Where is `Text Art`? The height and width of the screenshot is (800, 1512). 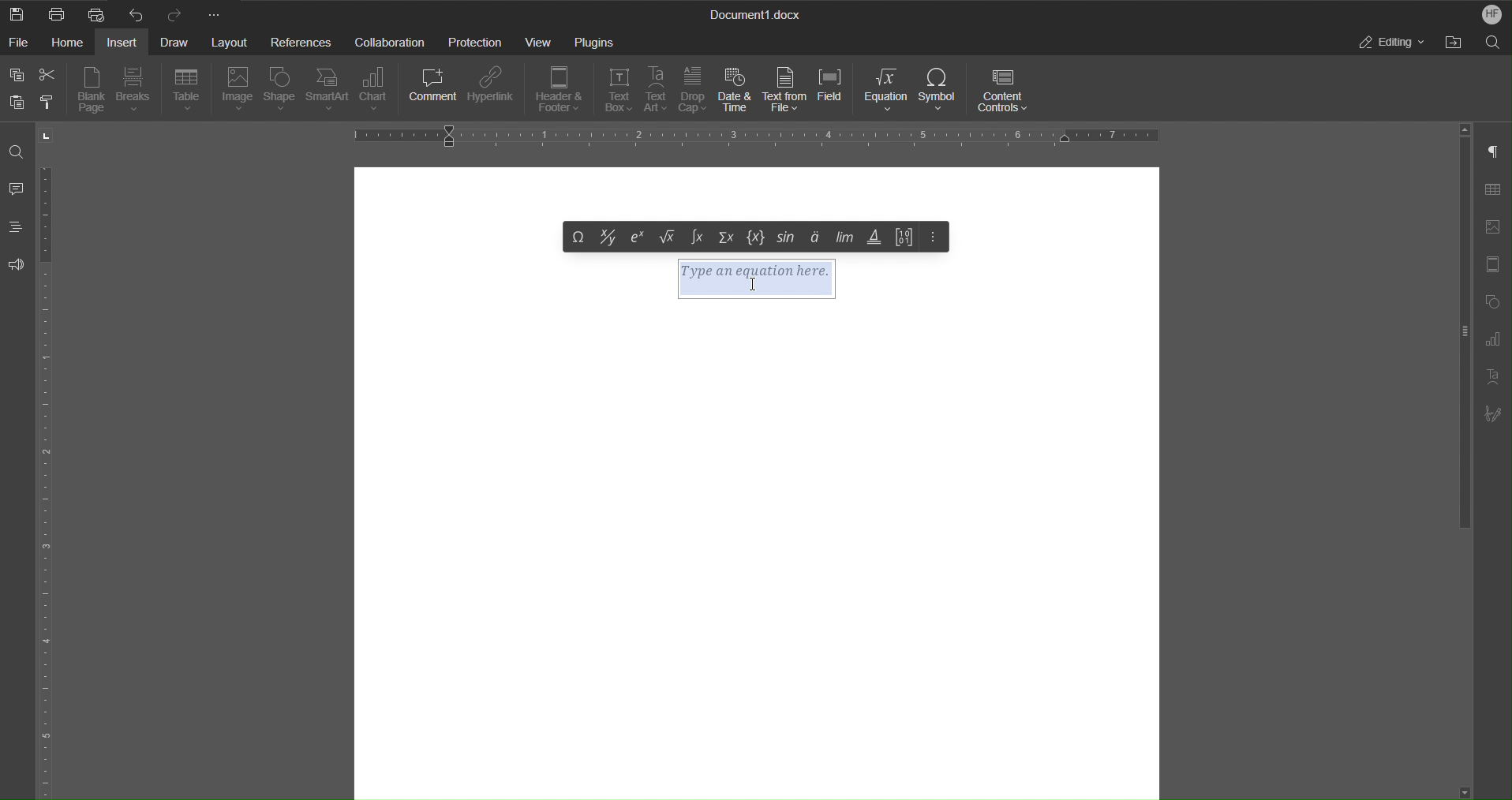 Text Art is located at coordinates (1491, 375).